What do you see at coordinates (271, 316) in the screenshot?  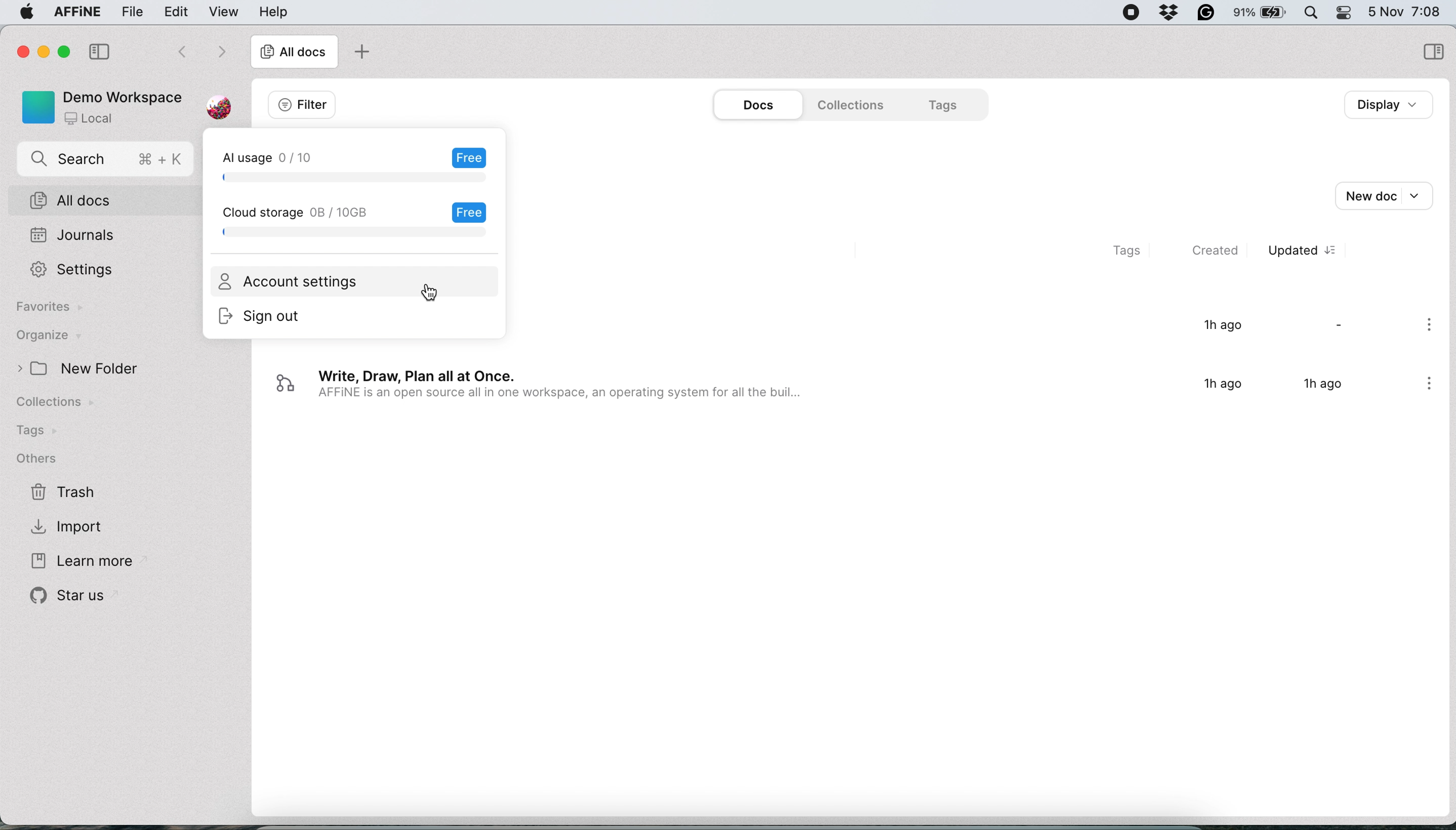 I see `sign out` at bounding box center [271, 316].